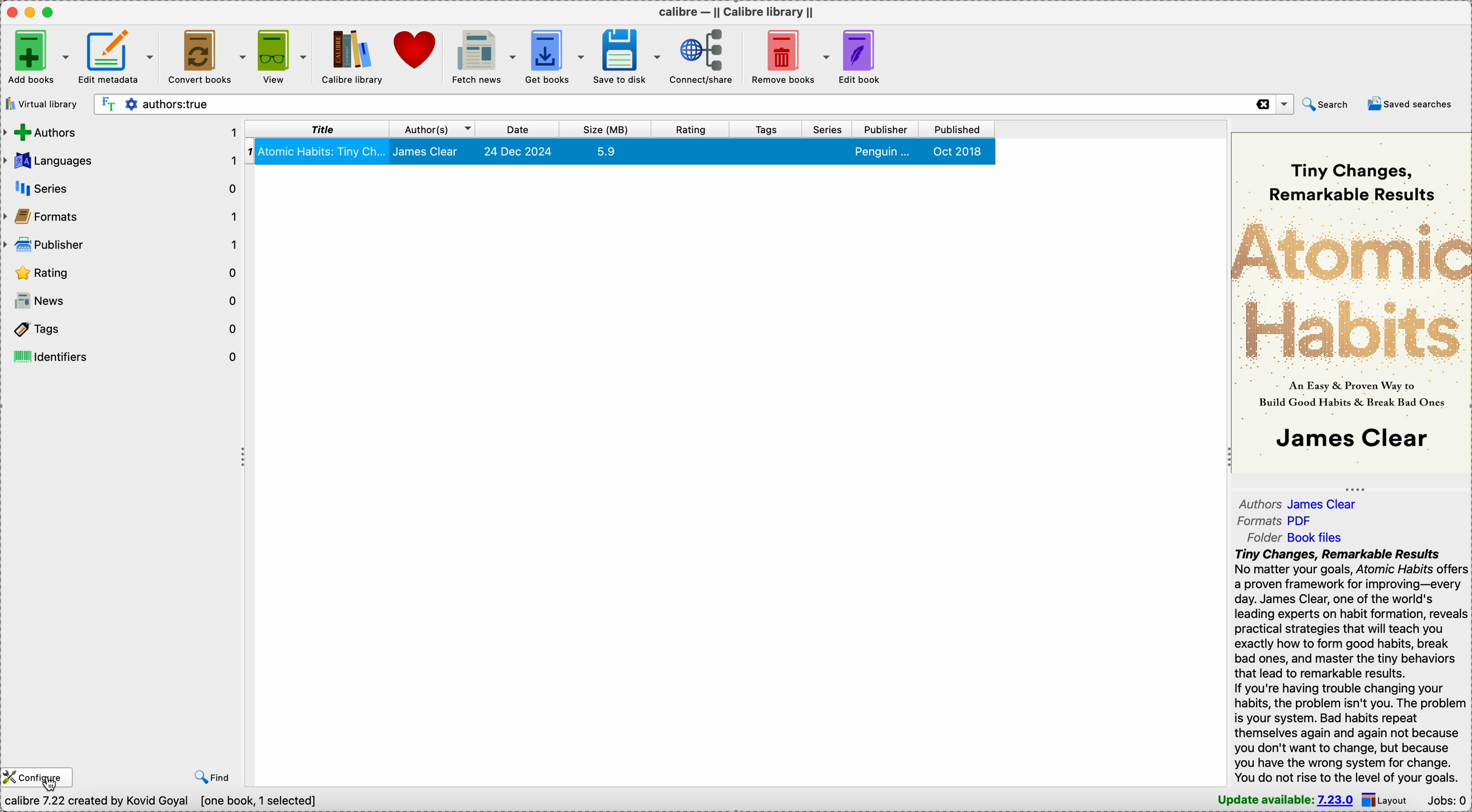 This screenshot has height=812, width=1472. What do you see at coordinates (1330, 104) in the screenshot?
I see `search` at bounding box center [1330, 104].